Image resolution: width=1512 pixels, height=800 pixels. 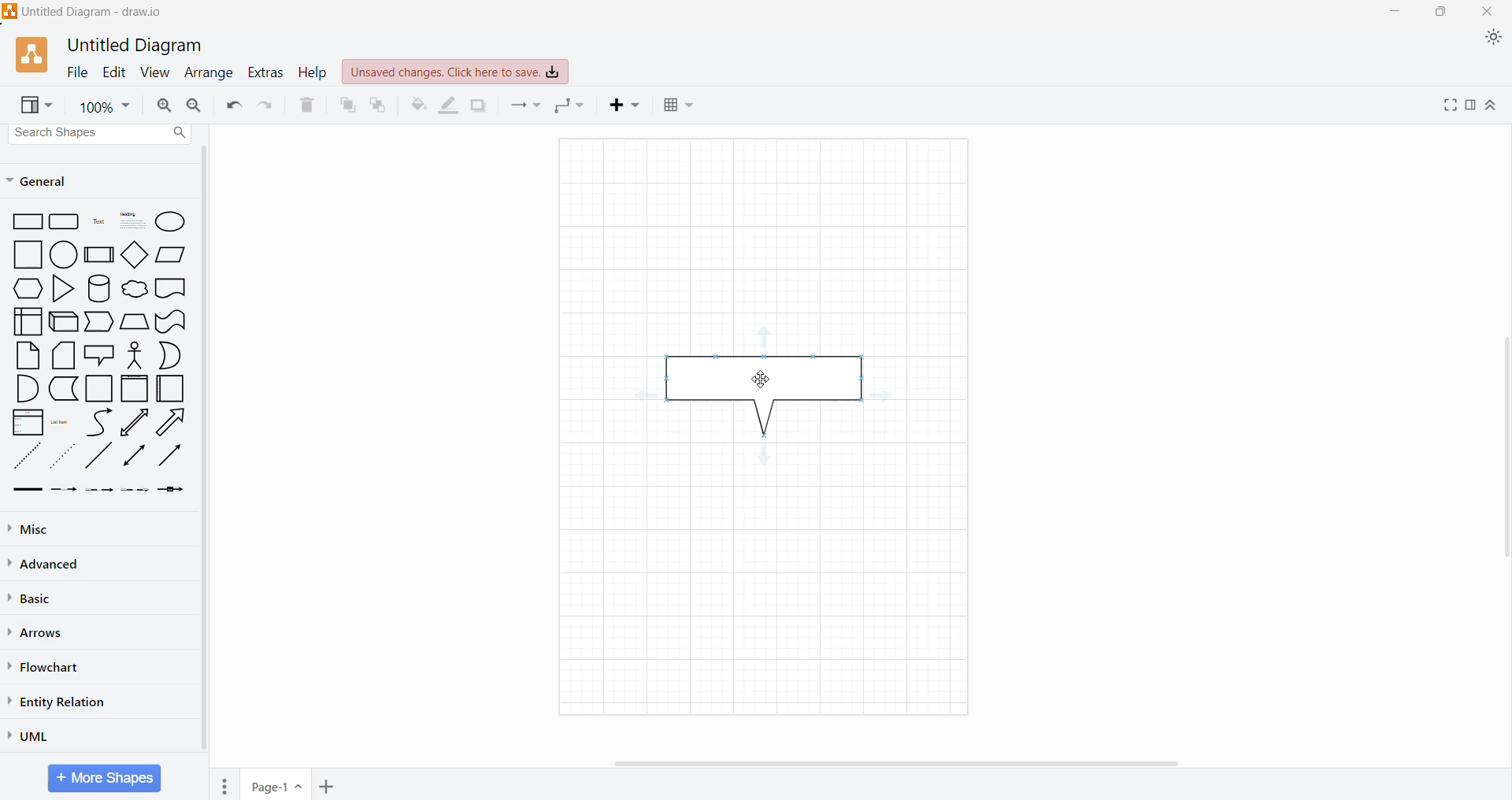 What do you see at coordinates (133, 287) in the screenshot?
I see `cloud` at bounding box center [133, 287].